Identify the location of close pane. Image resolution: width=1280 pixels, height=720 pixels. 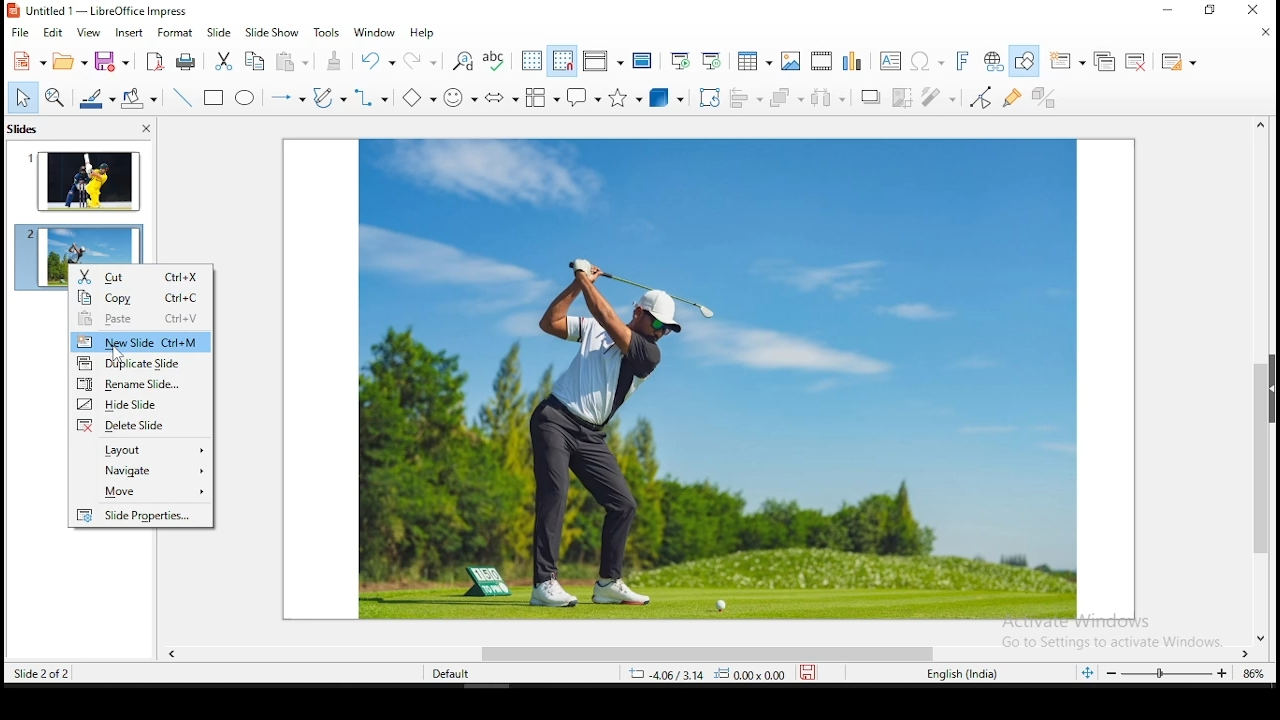
(146, 128).